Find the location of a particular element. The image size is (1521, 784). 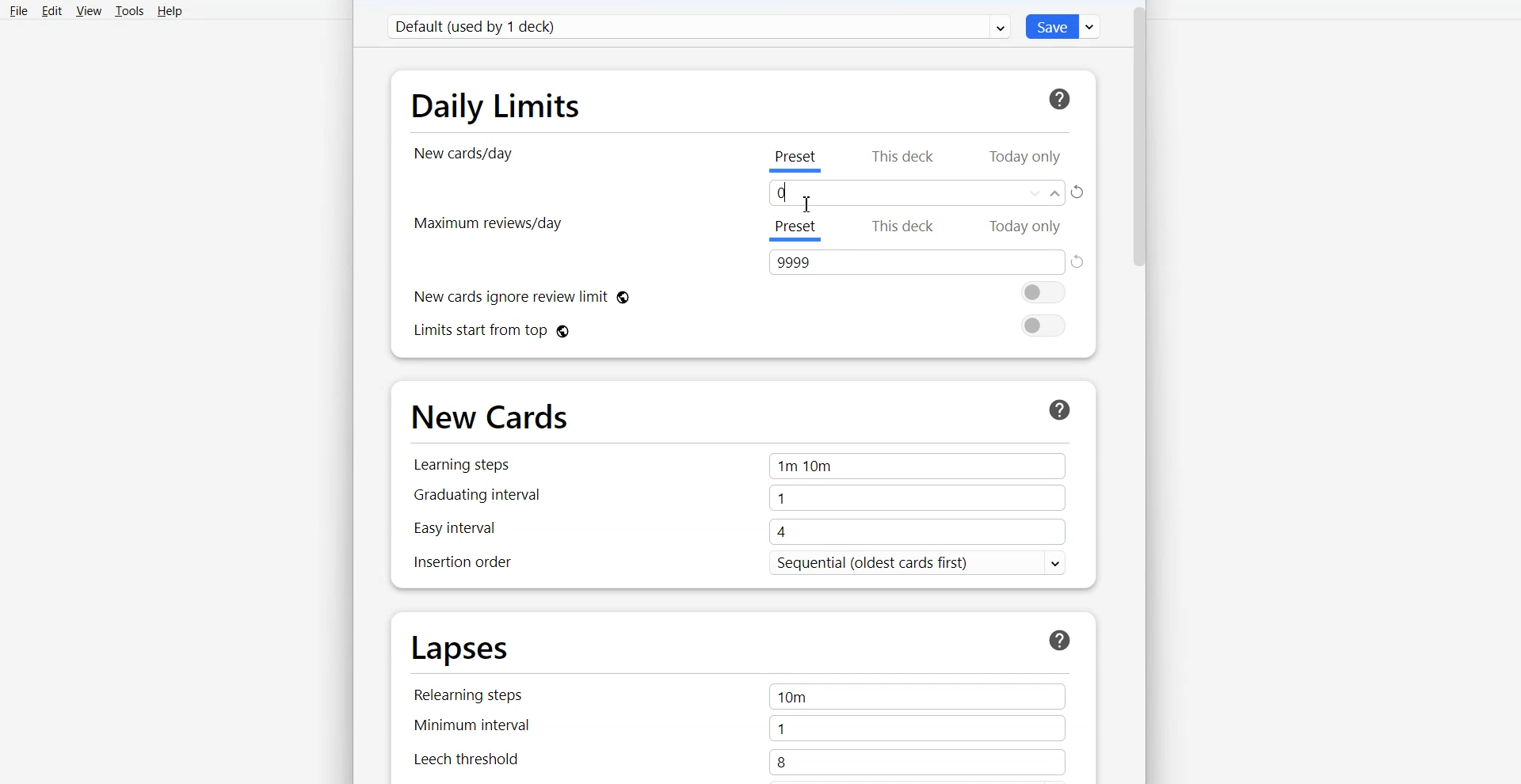

Text is located at coordinates (917, 262).